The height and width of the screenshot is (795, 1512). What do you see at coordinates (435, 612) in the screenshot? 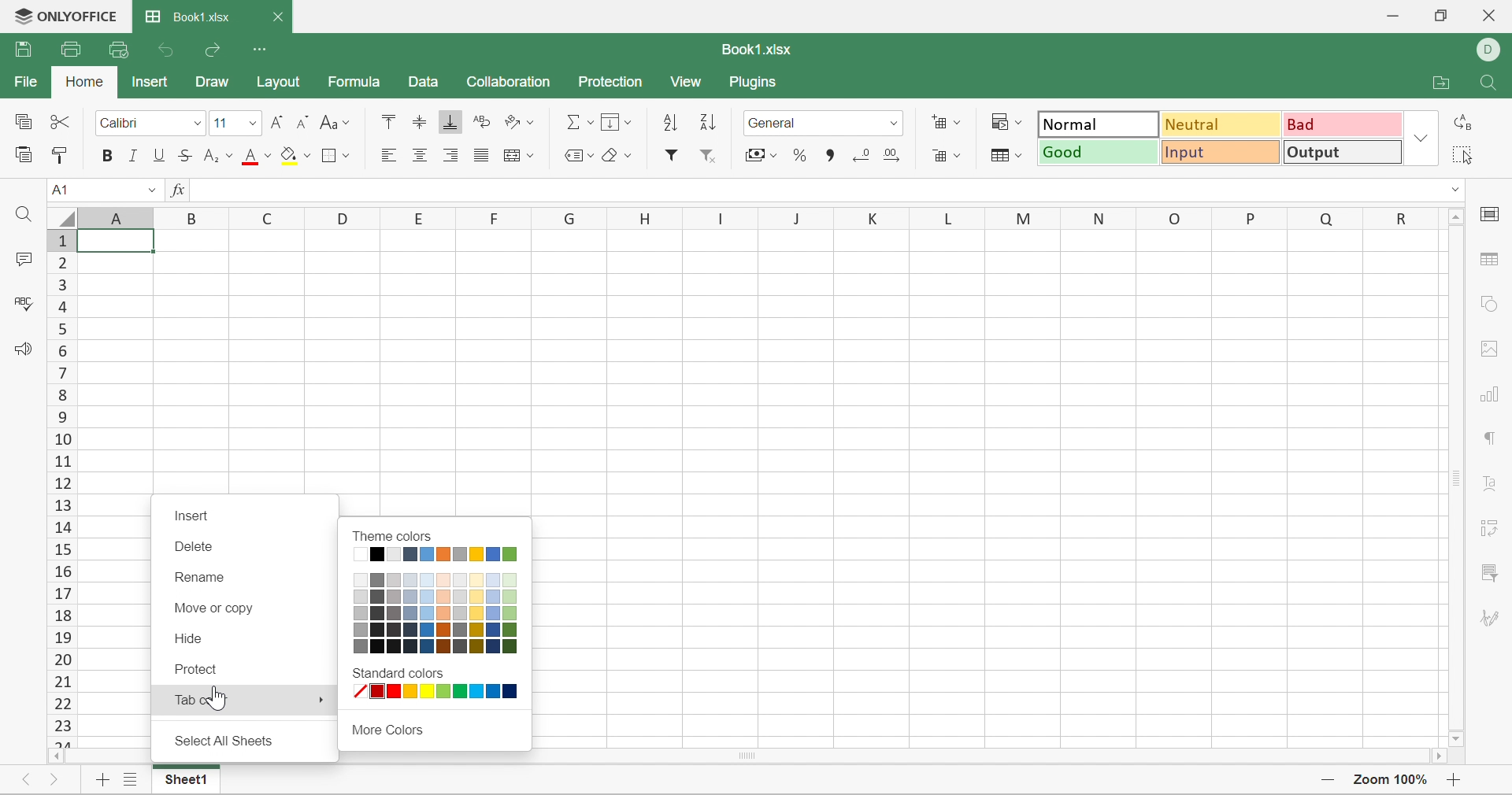
I see `Theme color shades` at bounding box center [435, 612].